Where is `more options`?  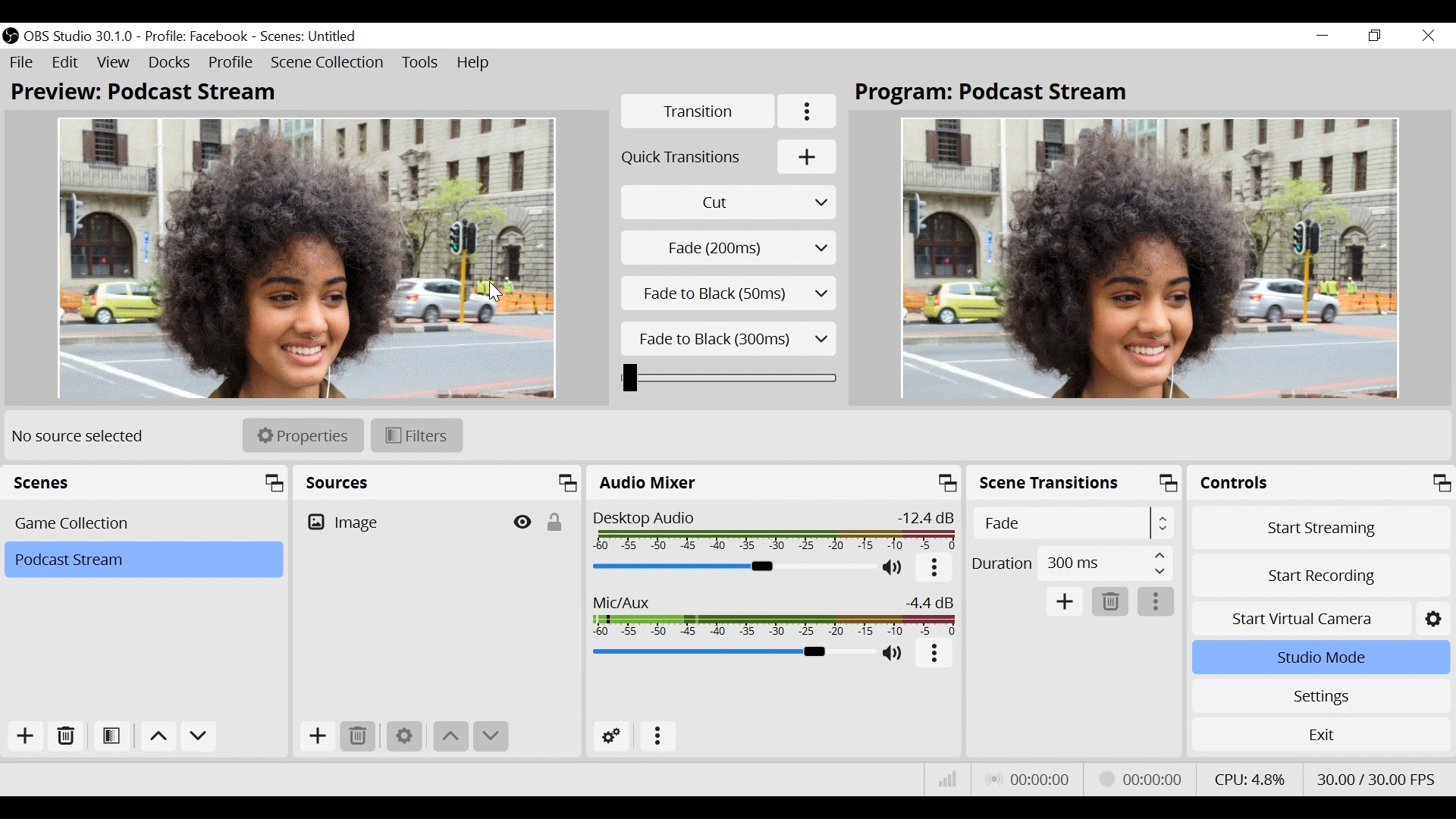 more options is located at coordinates (934, 654).